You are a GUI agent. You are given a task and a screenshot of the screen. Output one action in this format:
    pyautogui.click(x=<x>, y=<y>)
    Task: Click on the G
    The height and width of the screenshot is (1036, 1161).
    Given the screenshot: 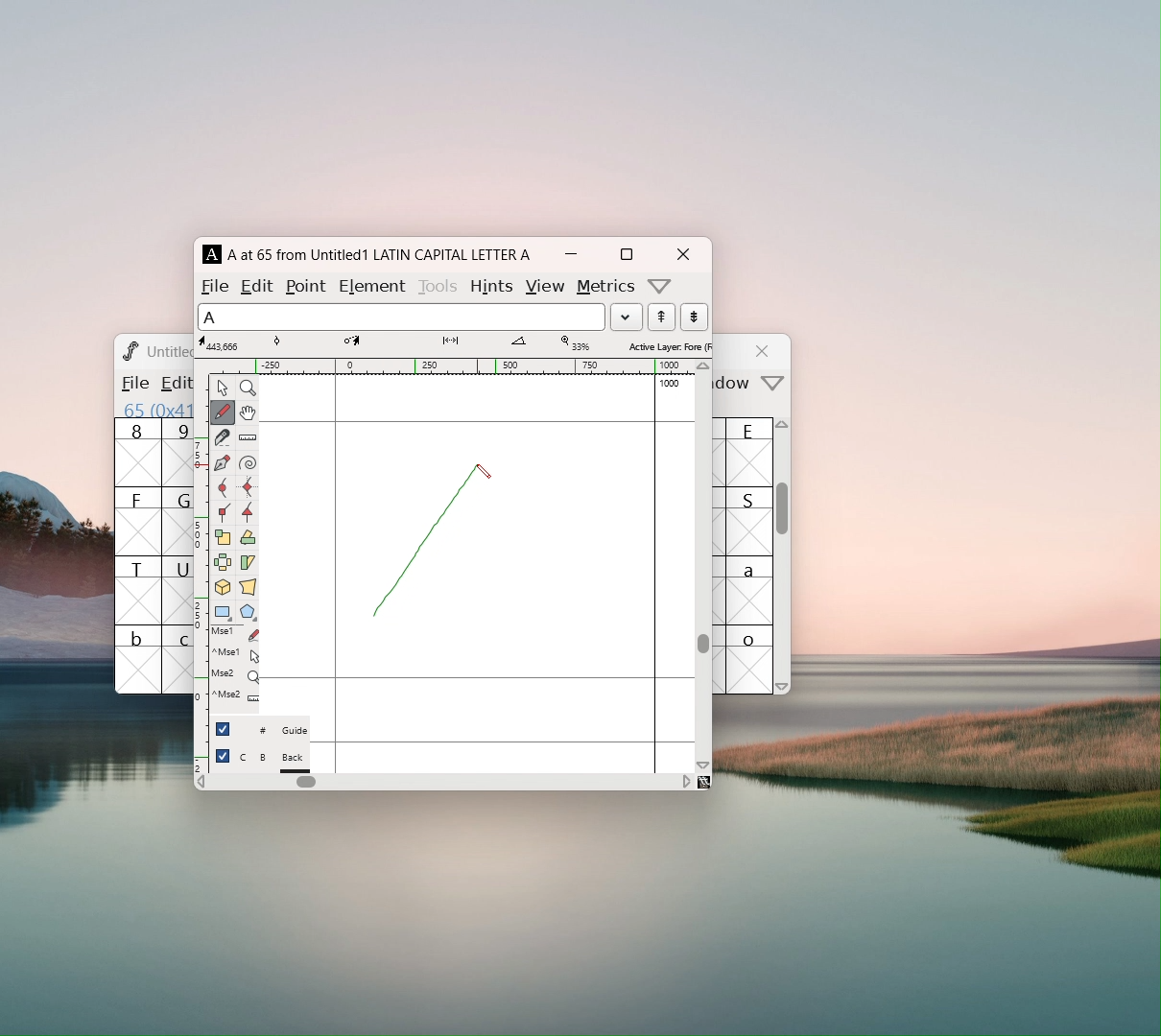 What is the action you would take?
    pyautogui.click(x=177, y=521)
    